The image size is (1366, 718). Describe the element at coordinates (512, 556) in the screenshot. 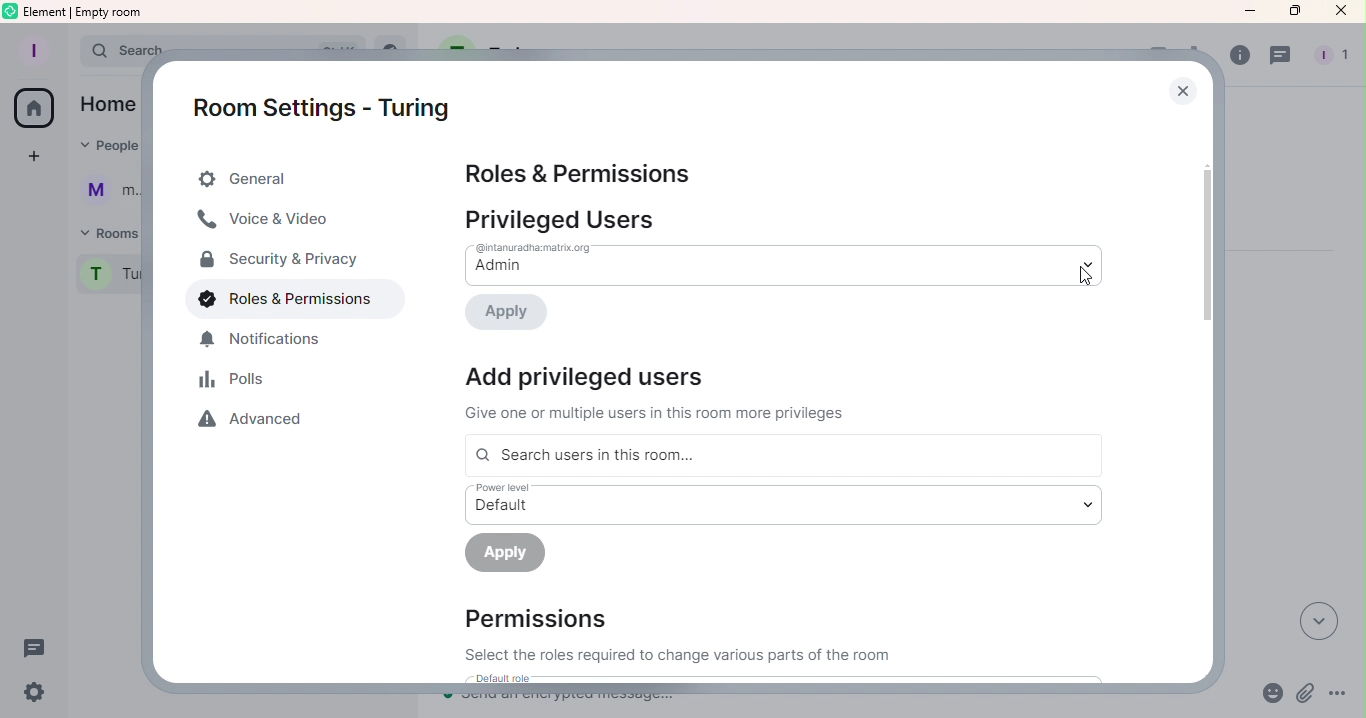

I see `Apply` at that location.